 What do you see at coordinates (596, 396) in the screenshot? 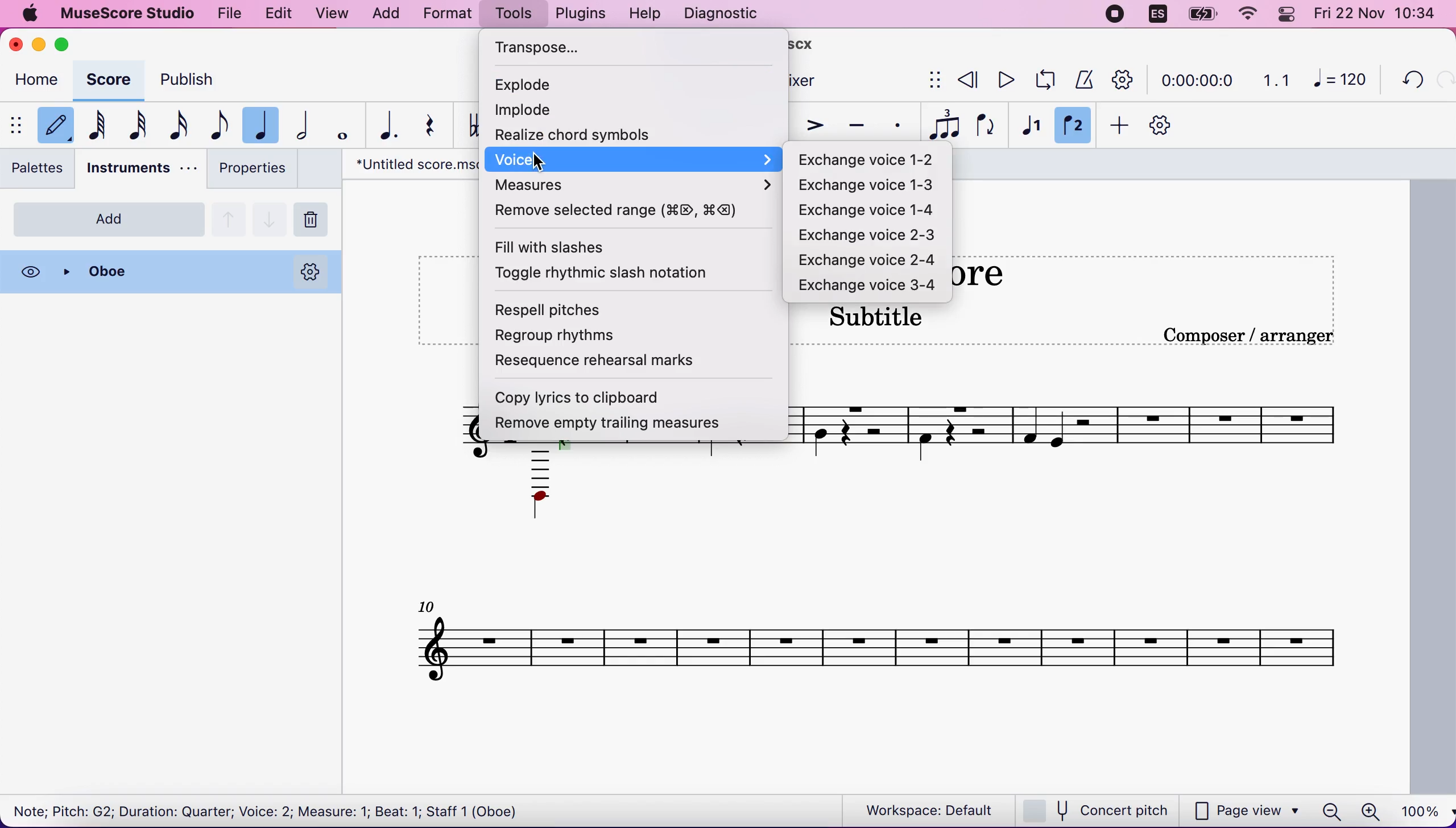
I see `copy lyrics to clipboard` at bounding box center [596, 396].